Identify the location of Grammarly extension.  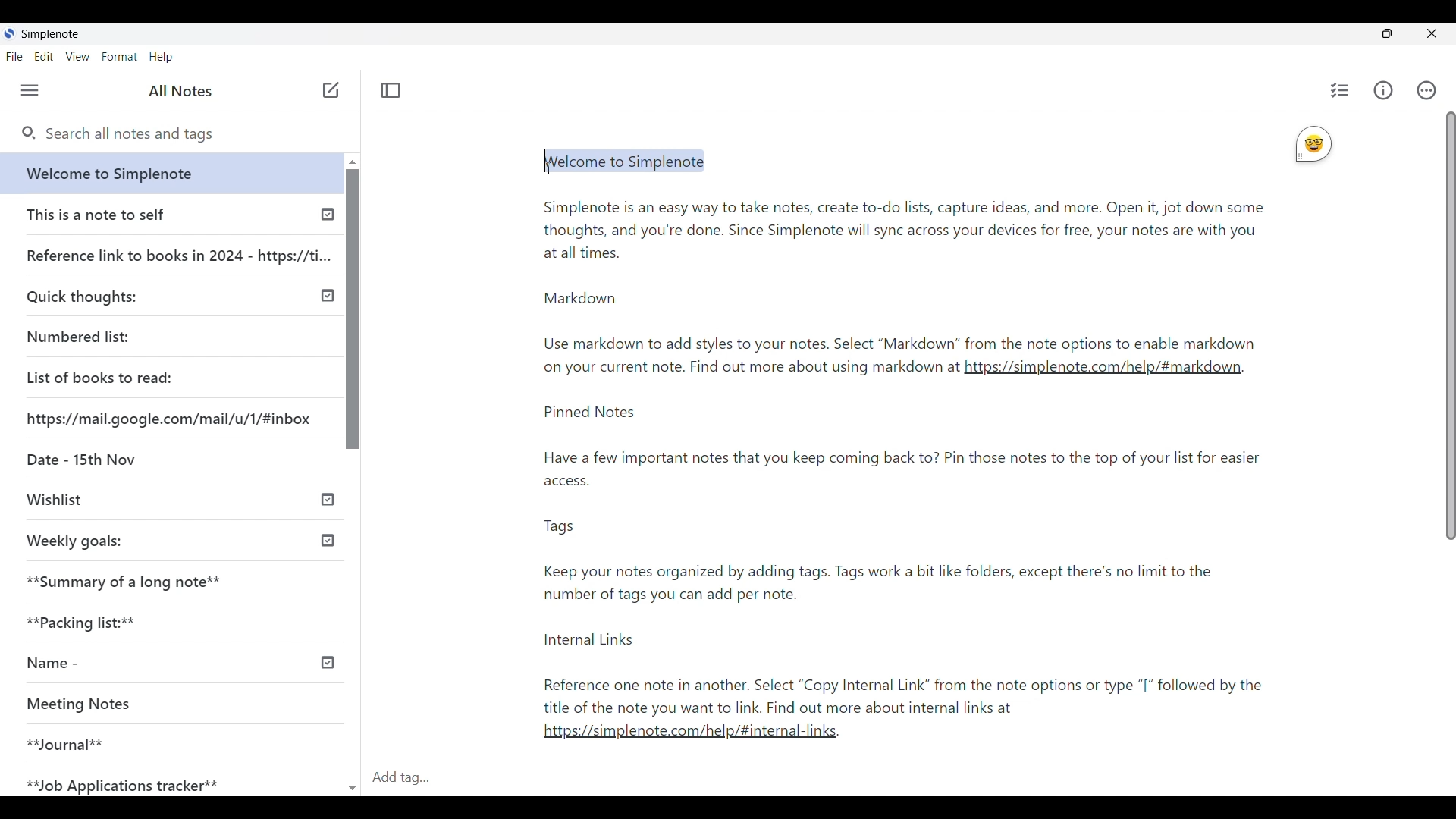
(1313, 144).